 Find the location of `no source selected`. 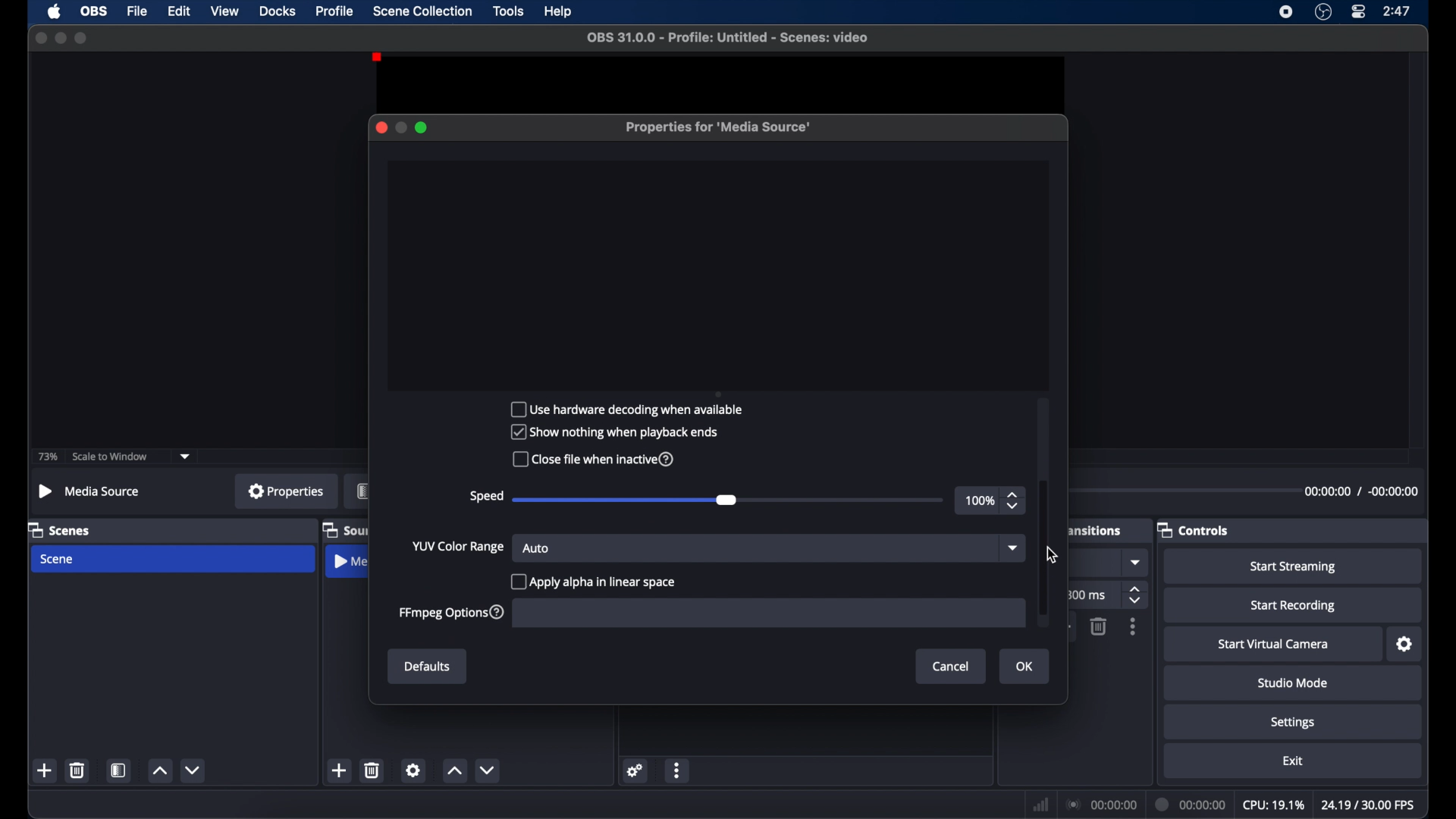

no source selected is located at coordinates (89, 491).